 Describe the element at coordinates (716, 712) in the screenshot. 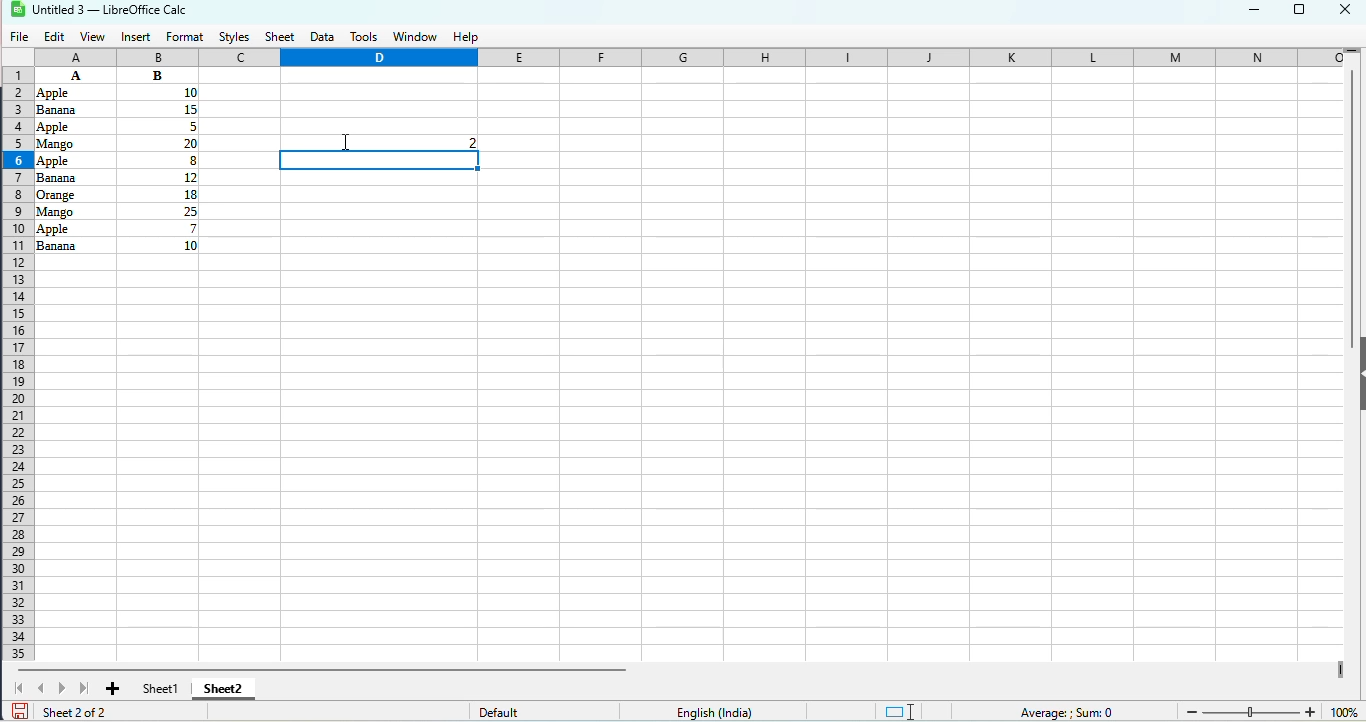

I see `text language` at that location.